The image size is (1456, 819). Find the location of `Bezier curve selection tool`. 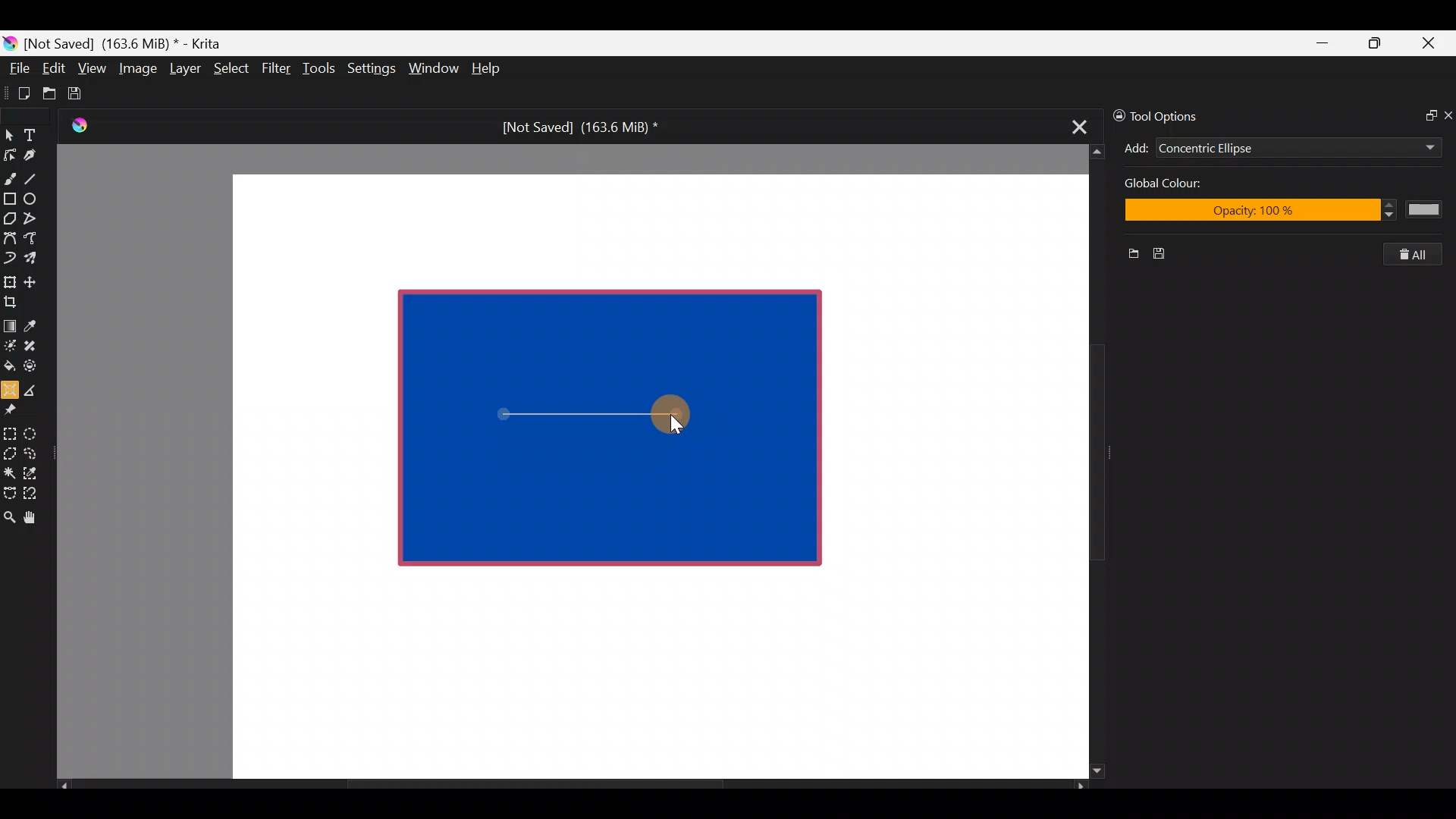

Bezier curve selection tool is located at coordinates (9, 491).